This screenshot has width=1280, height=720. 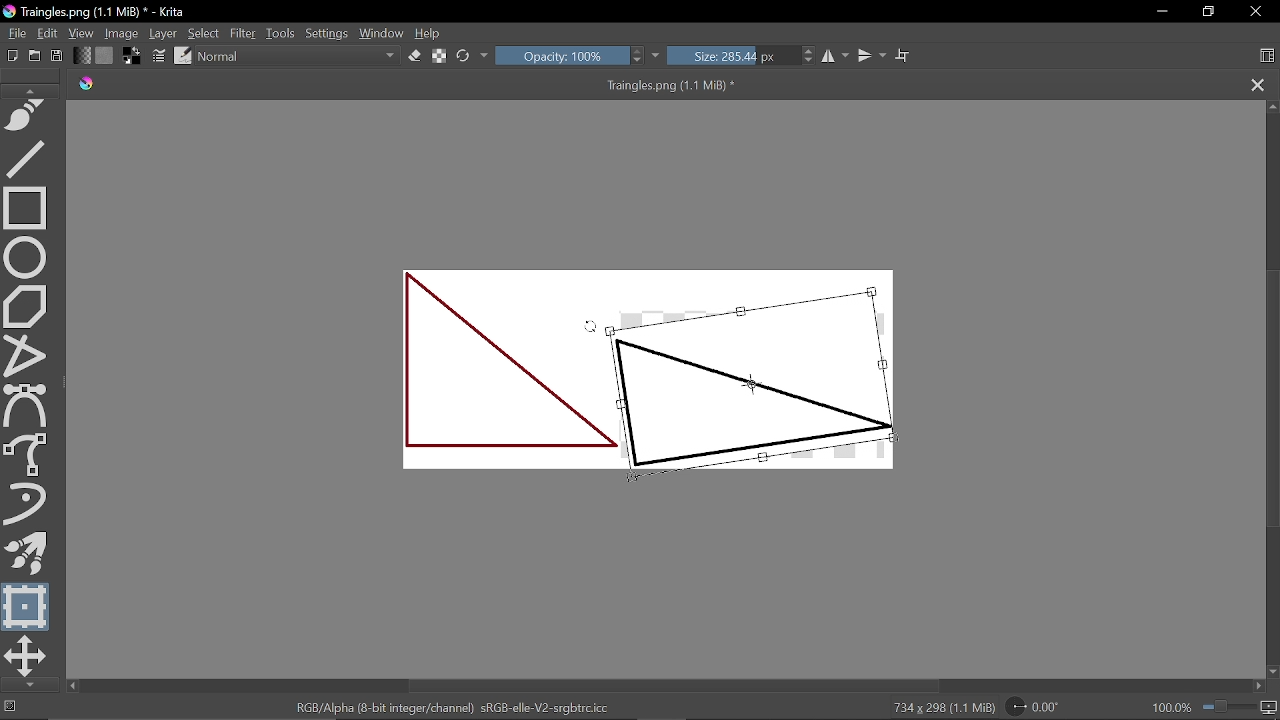 I want to click on Freehand brush tool, so click(x=29, y=455).